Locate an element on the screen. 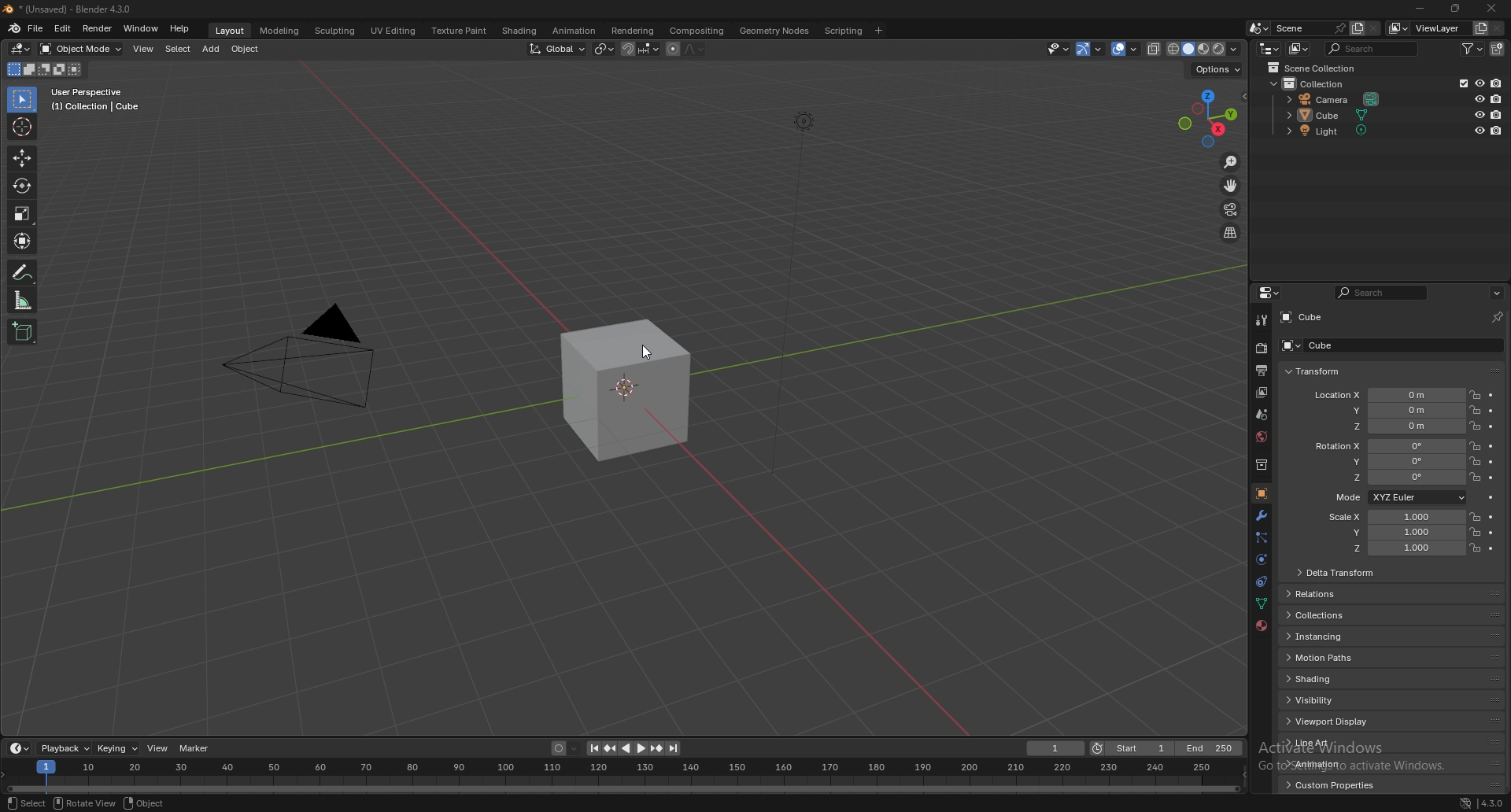  scene is located at coordinates (1261, 414).